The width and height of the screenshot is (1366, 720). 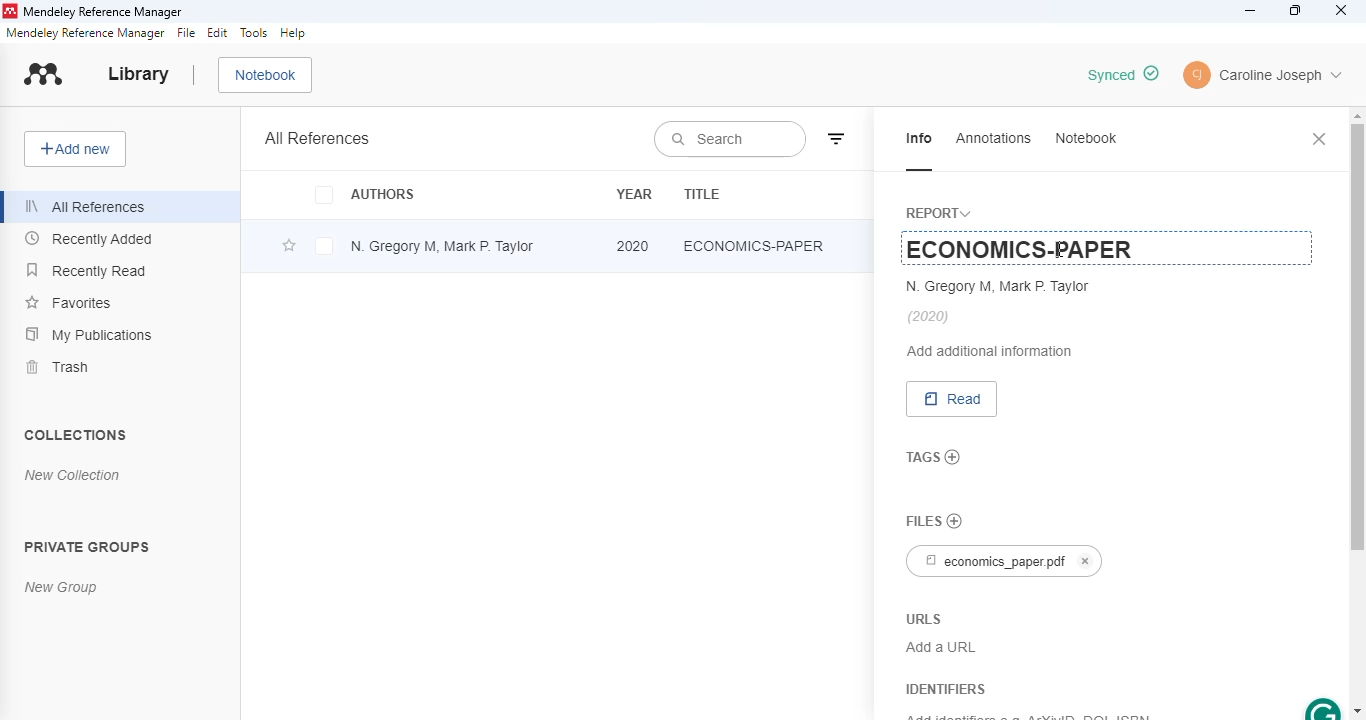 What do you see at coordinates (1355, 338) in the screenshot?
I see `vertical scroll bar` at bounding box center [1355, 338].